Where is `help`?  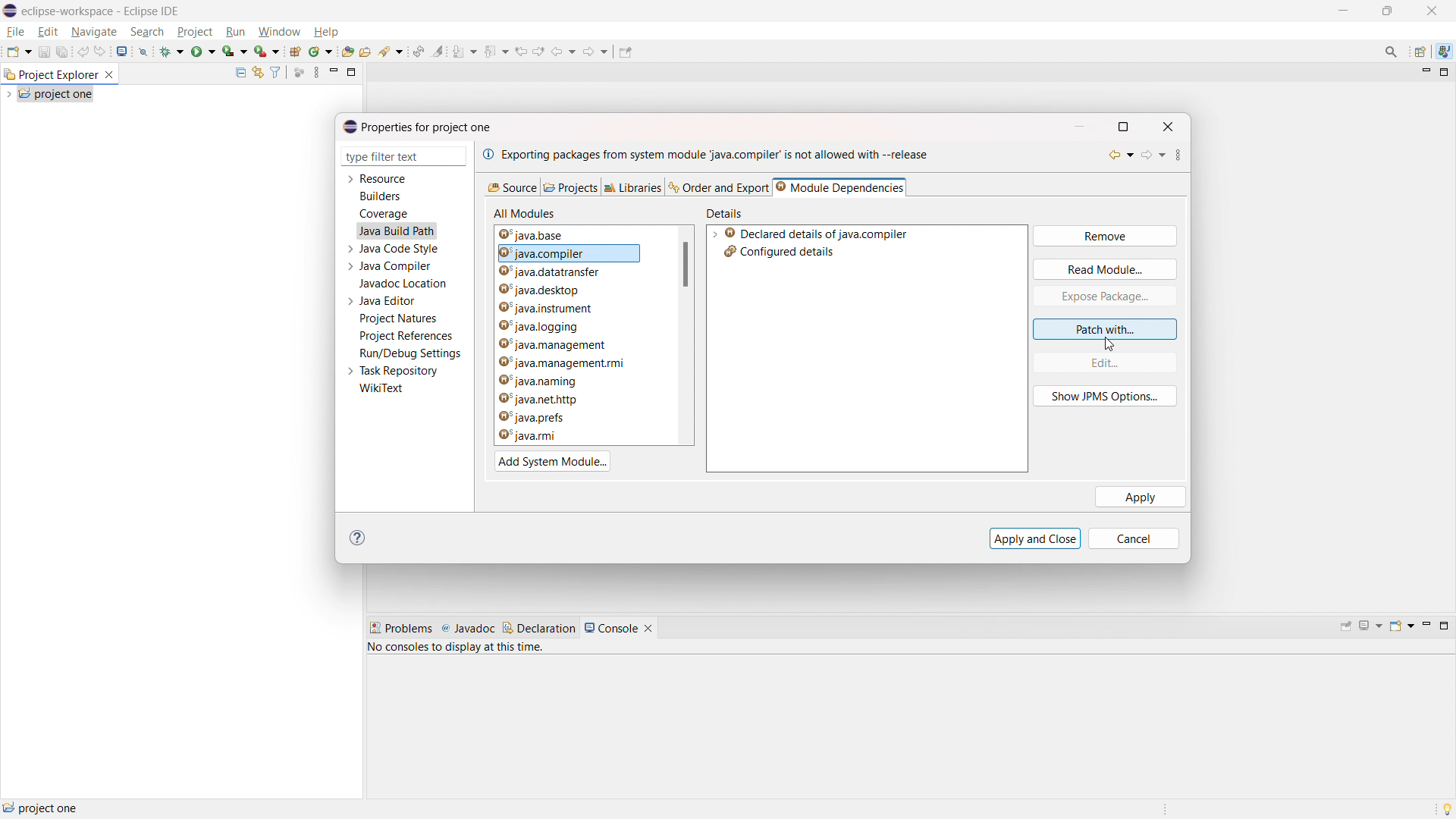 help is located at coordinates (361, 538).